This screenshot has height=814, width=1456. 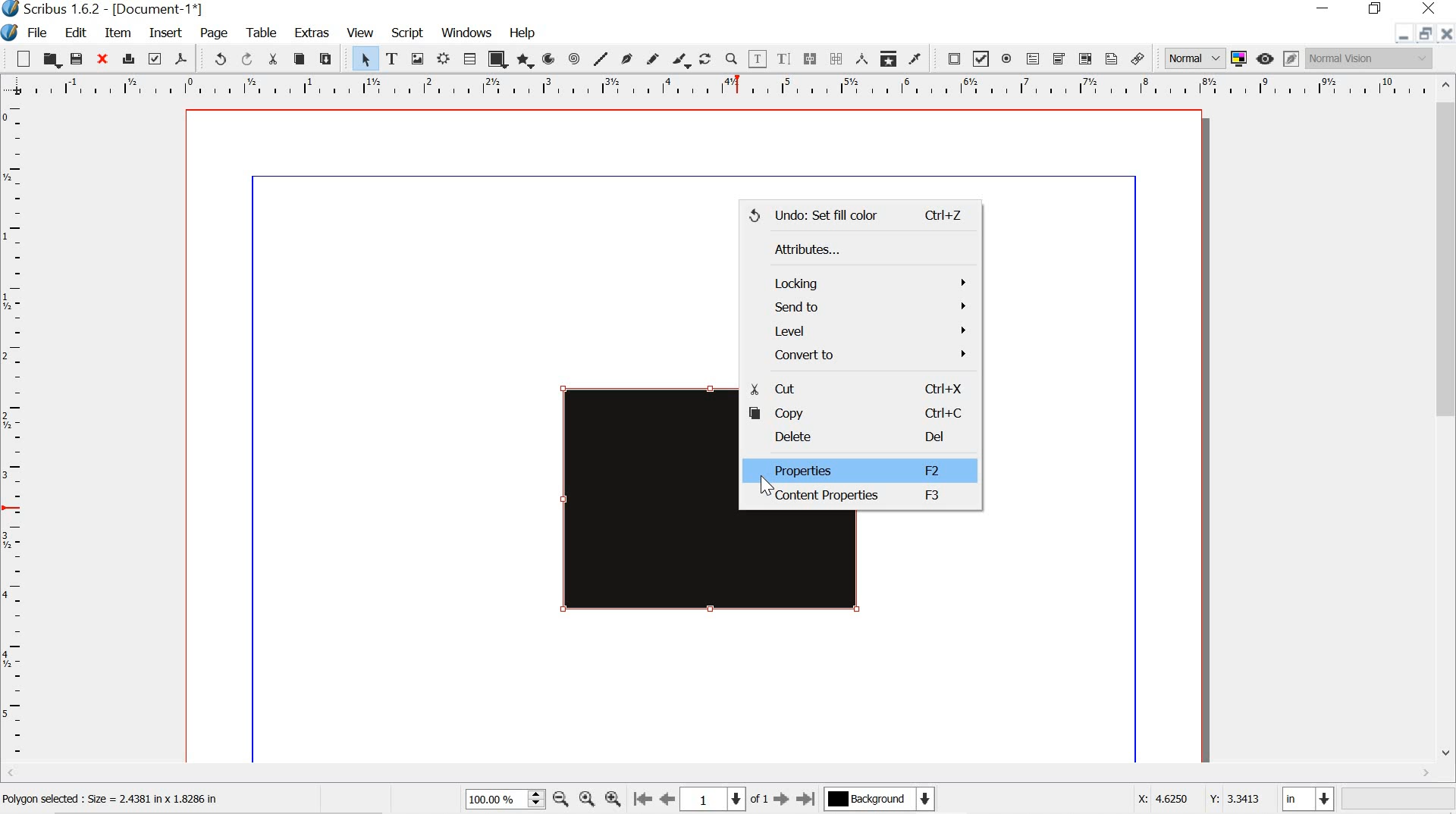 I want to click on select item, so click(x=363, y=58).